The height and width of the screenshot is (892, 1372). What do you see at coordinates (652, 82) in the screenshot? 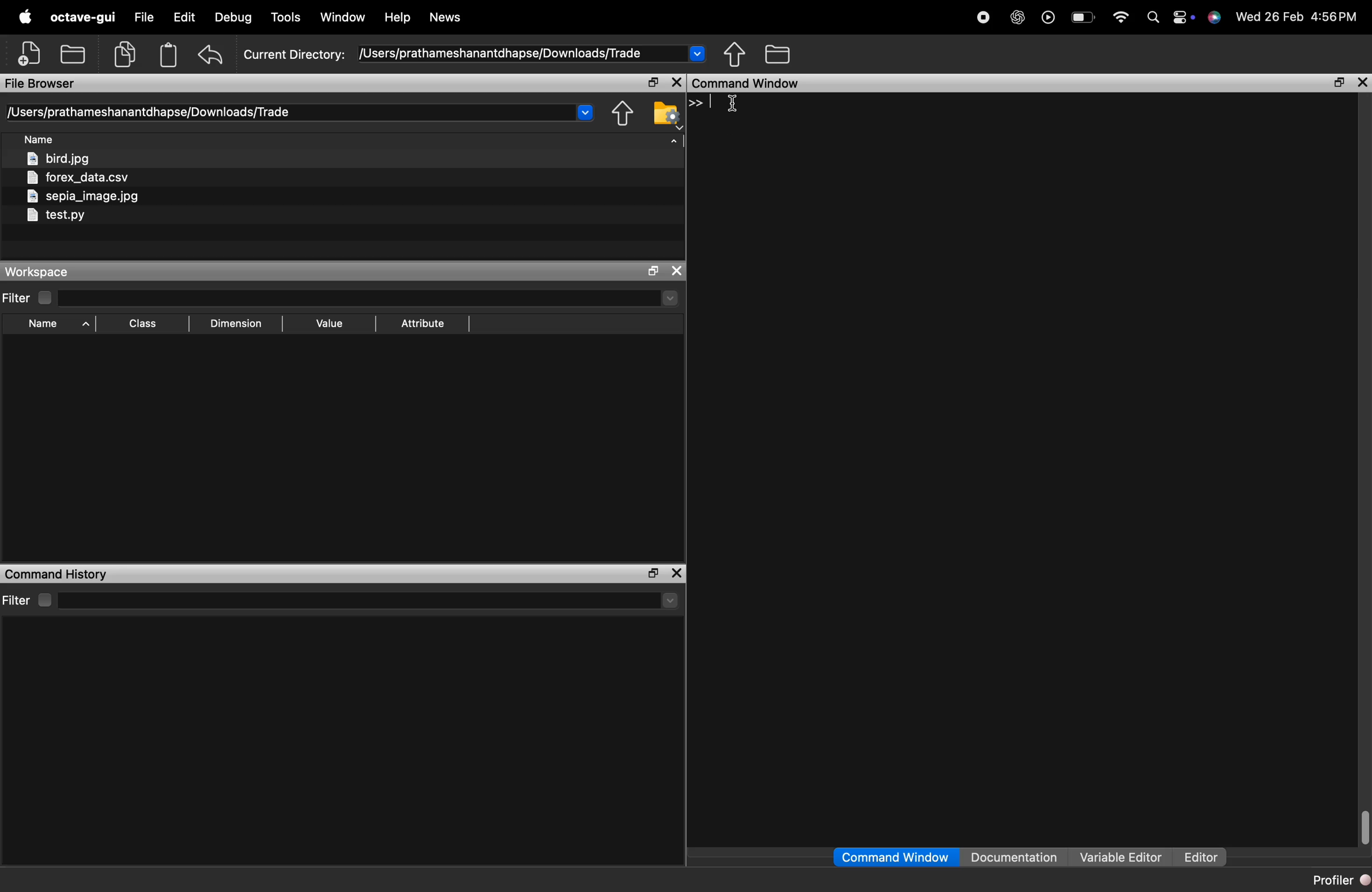
I see `separate the window` at bounding box center [652, 82].